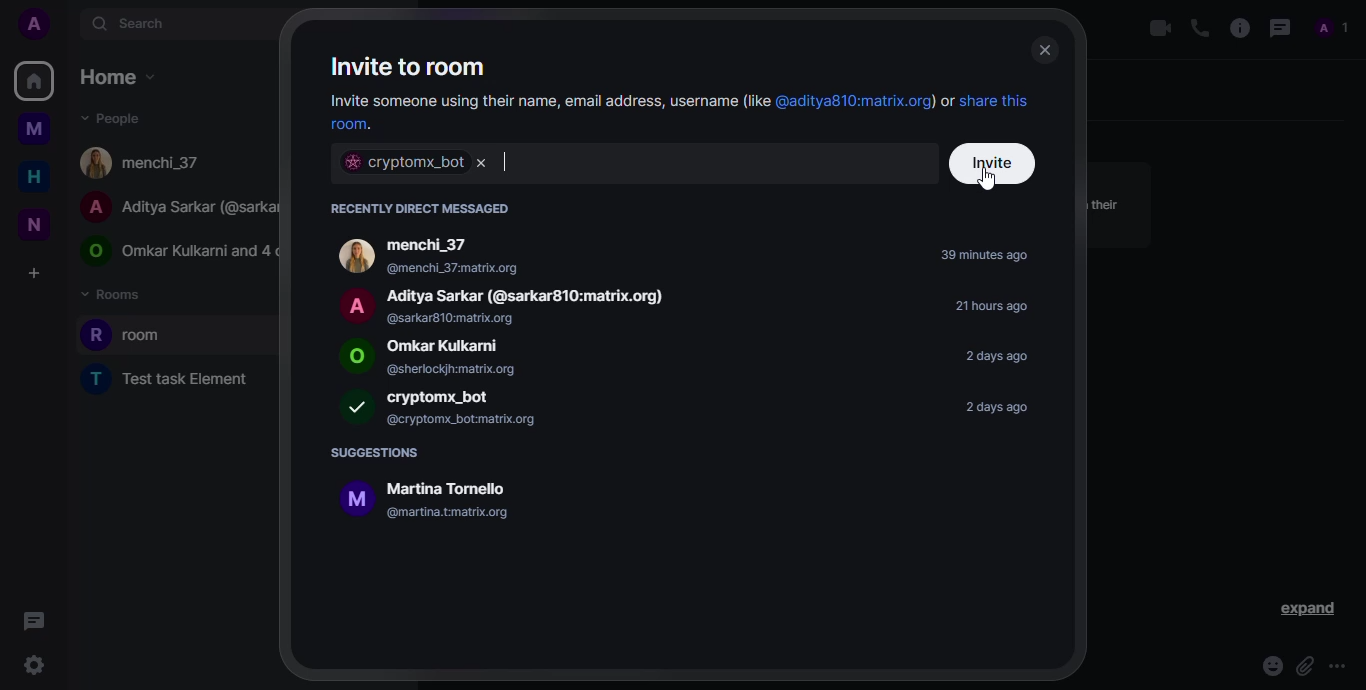  What do you see at coordinates (33, 23) in the screenshot?
I see `add profile picture` at bounding box center [33, 23].